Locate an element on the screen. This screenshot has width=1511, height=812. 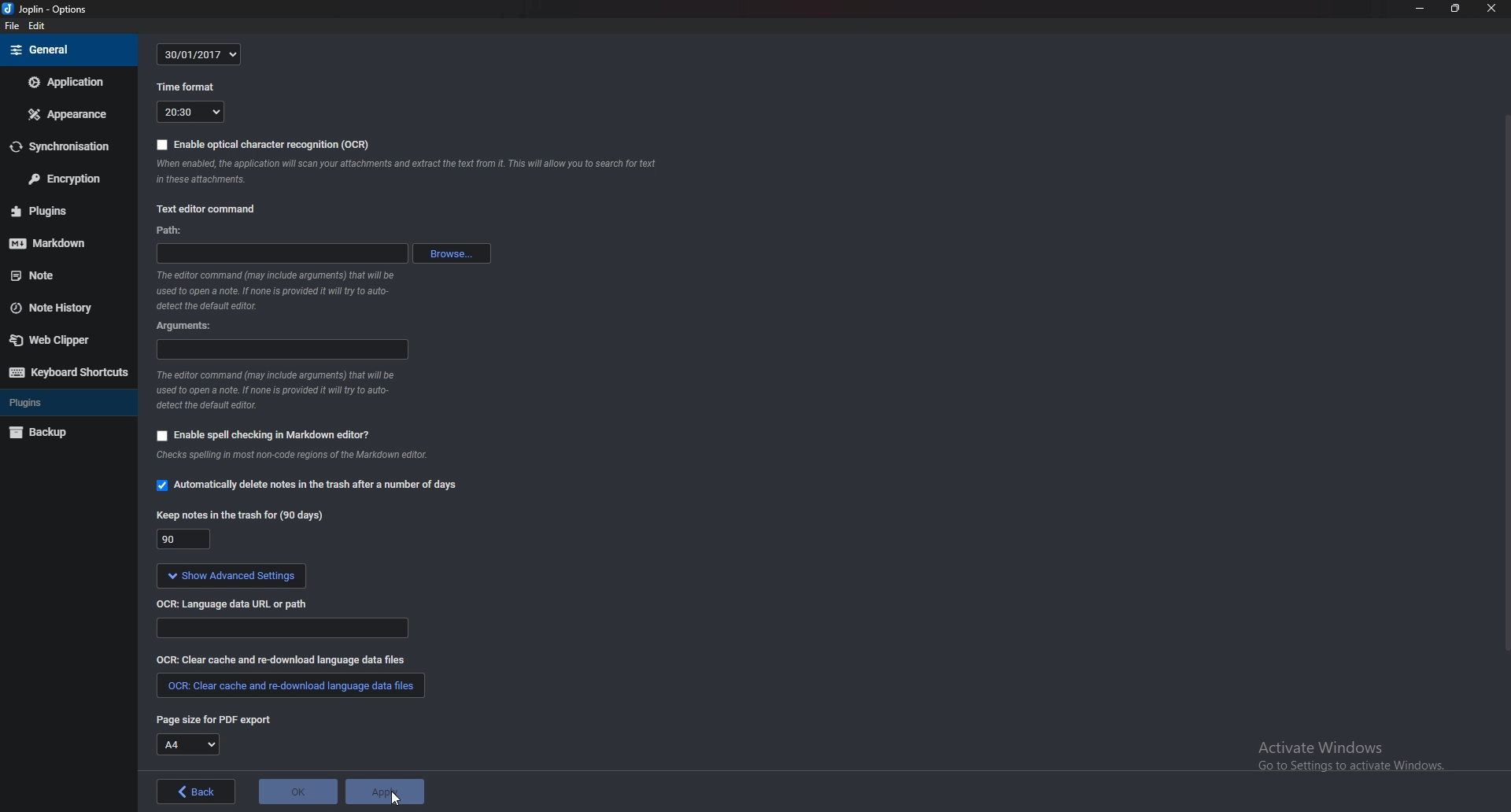
browse is located at coordinates (449, 253).